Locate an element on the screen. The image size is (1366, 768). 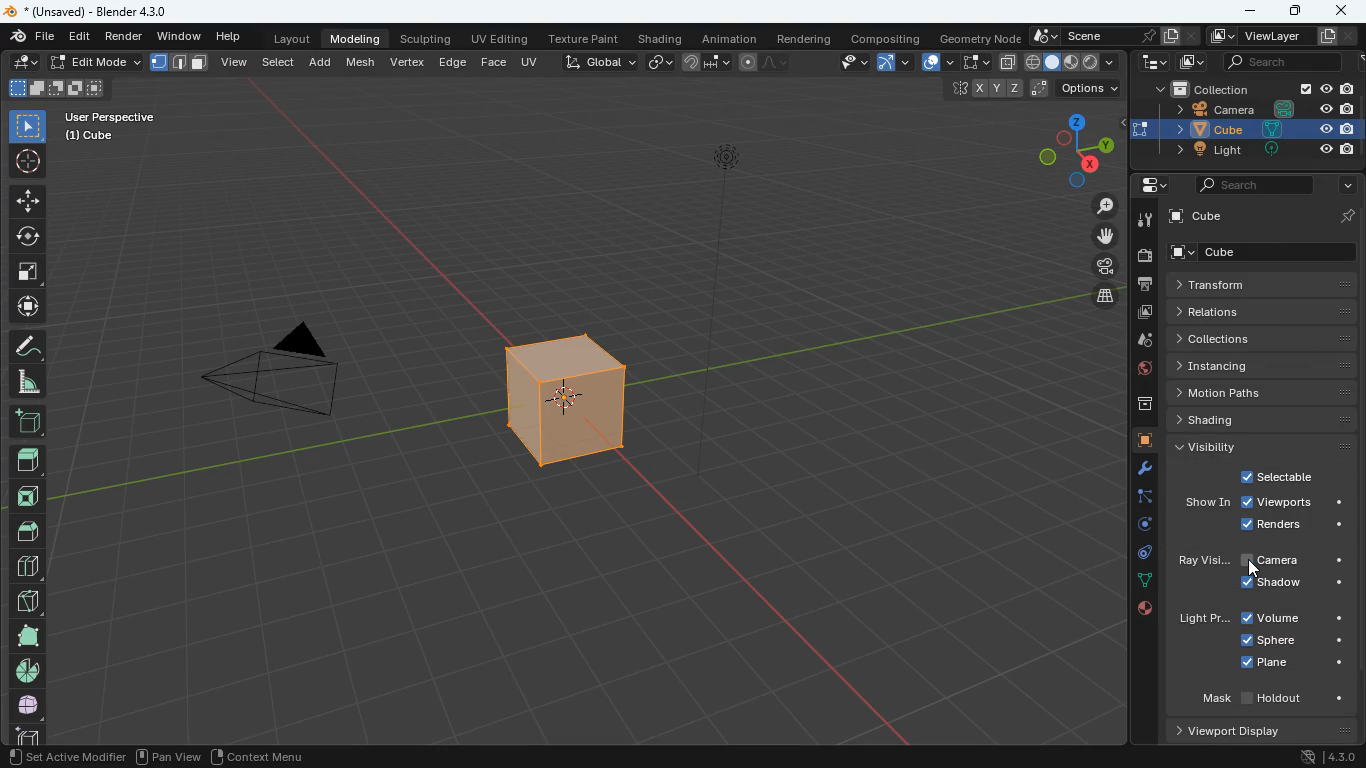
shading is located at coordinates (1264, 419).